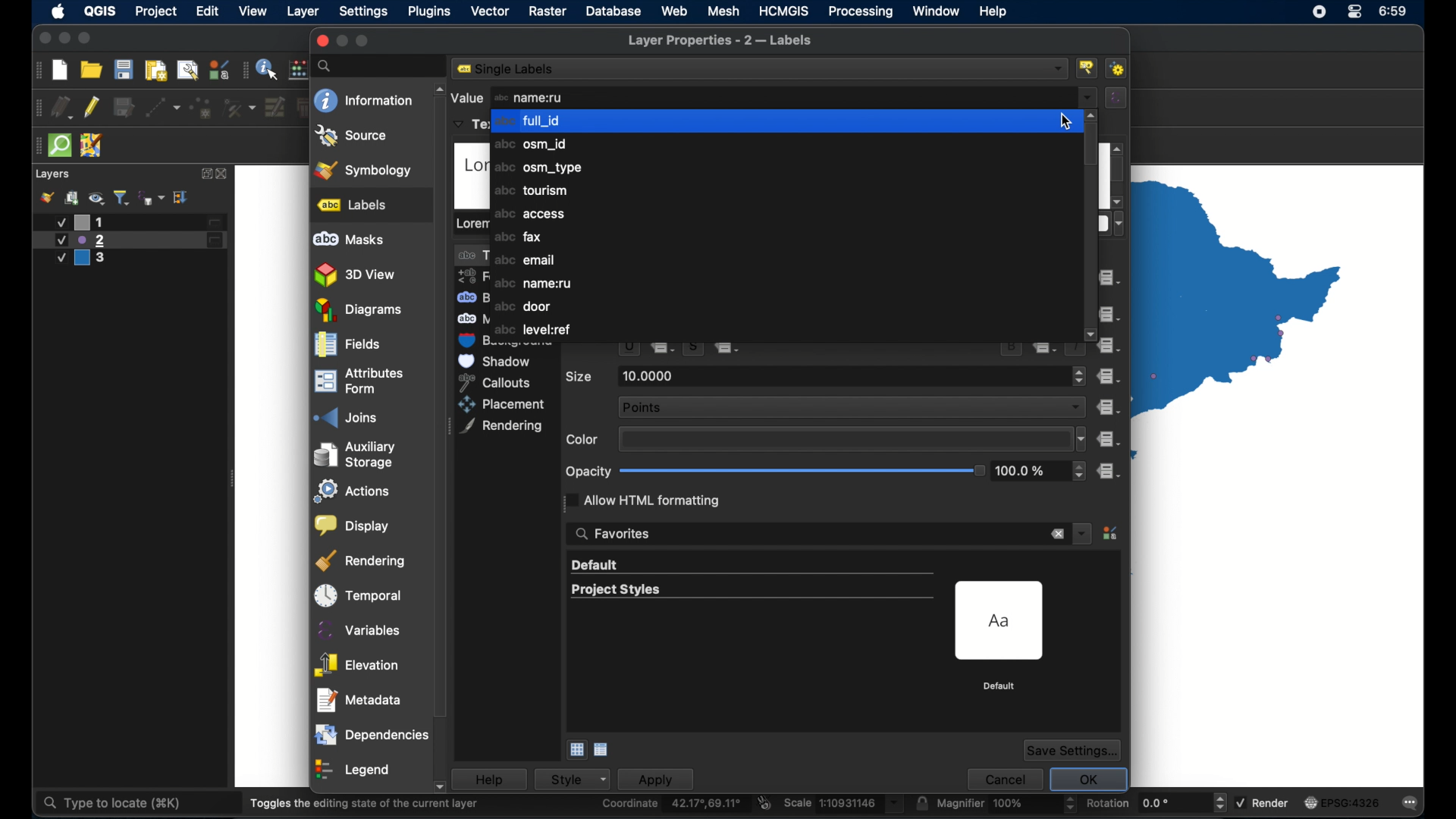  What do you see at coordinates (209, 11) in the screenshot?
I see `edit` at bounding box center [209, 11].